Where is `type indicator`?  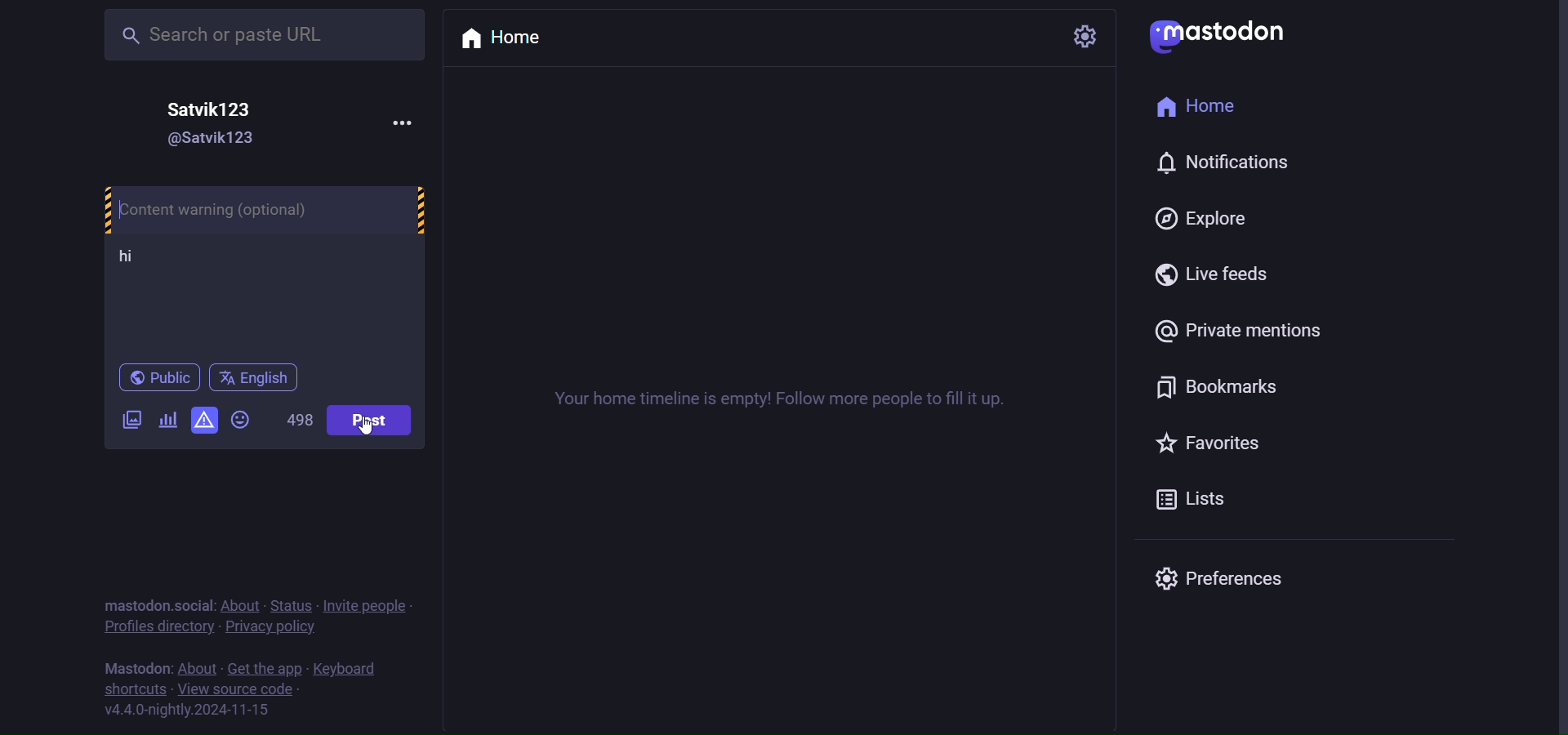
type indicator is located at coordinates (145, 260).